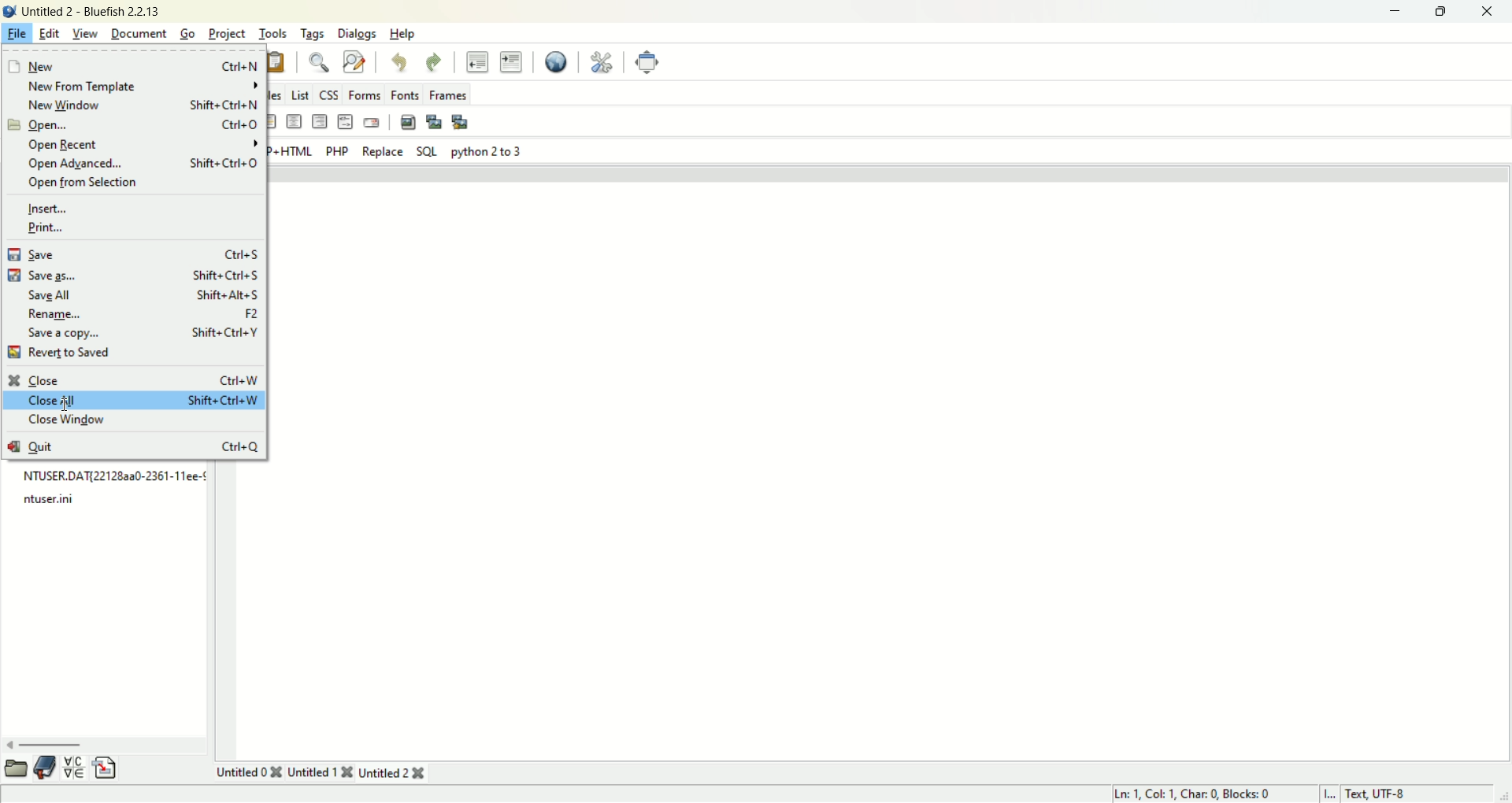 The height and width of the screenshot is (803, 1512). What do you see at coordinates (1331, 793) in the screenshot?
I see `I` at bounding box center [1331, 793].